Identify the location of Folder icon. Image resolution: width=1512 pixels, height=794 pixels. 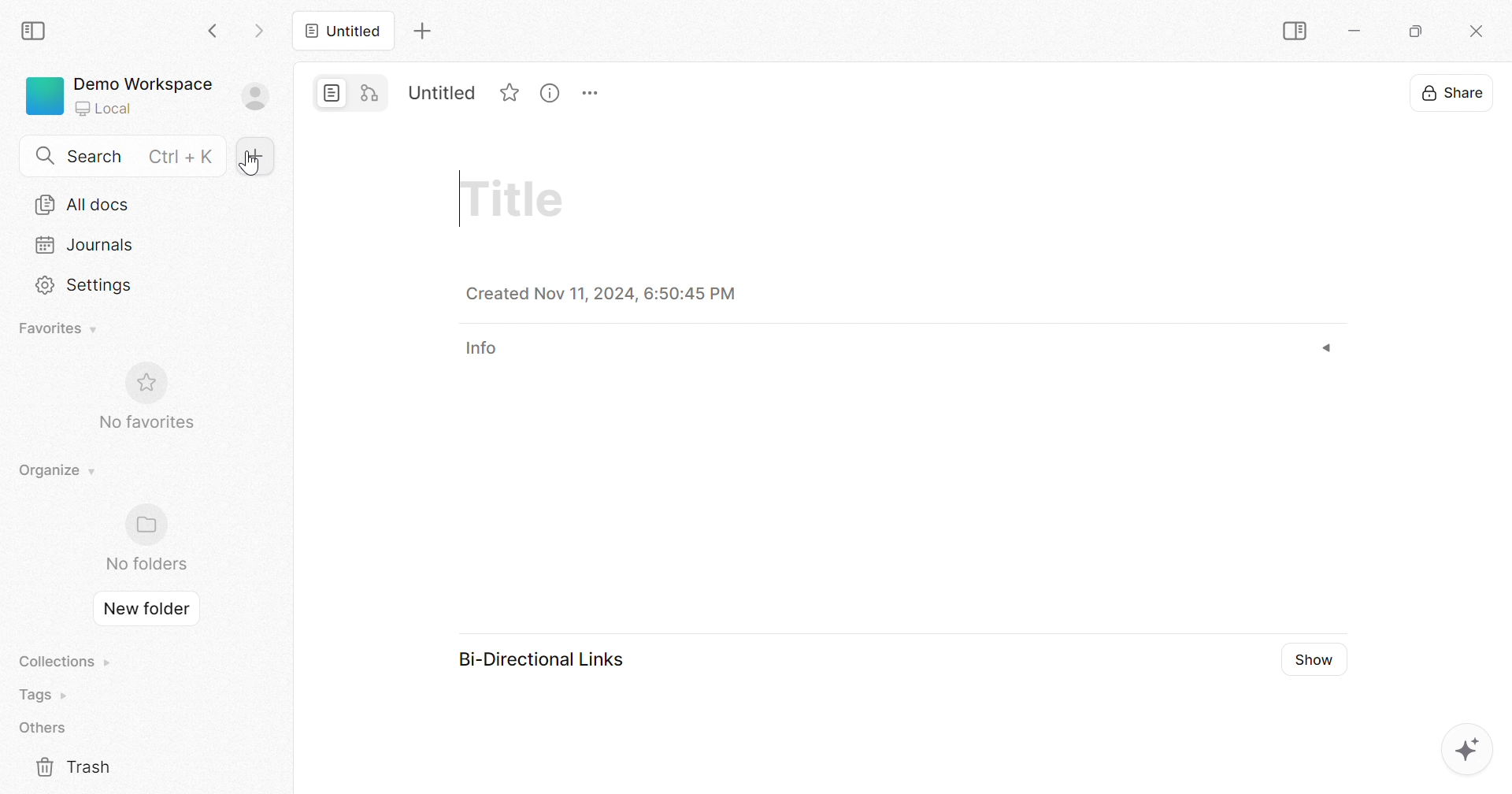
(146, 526).